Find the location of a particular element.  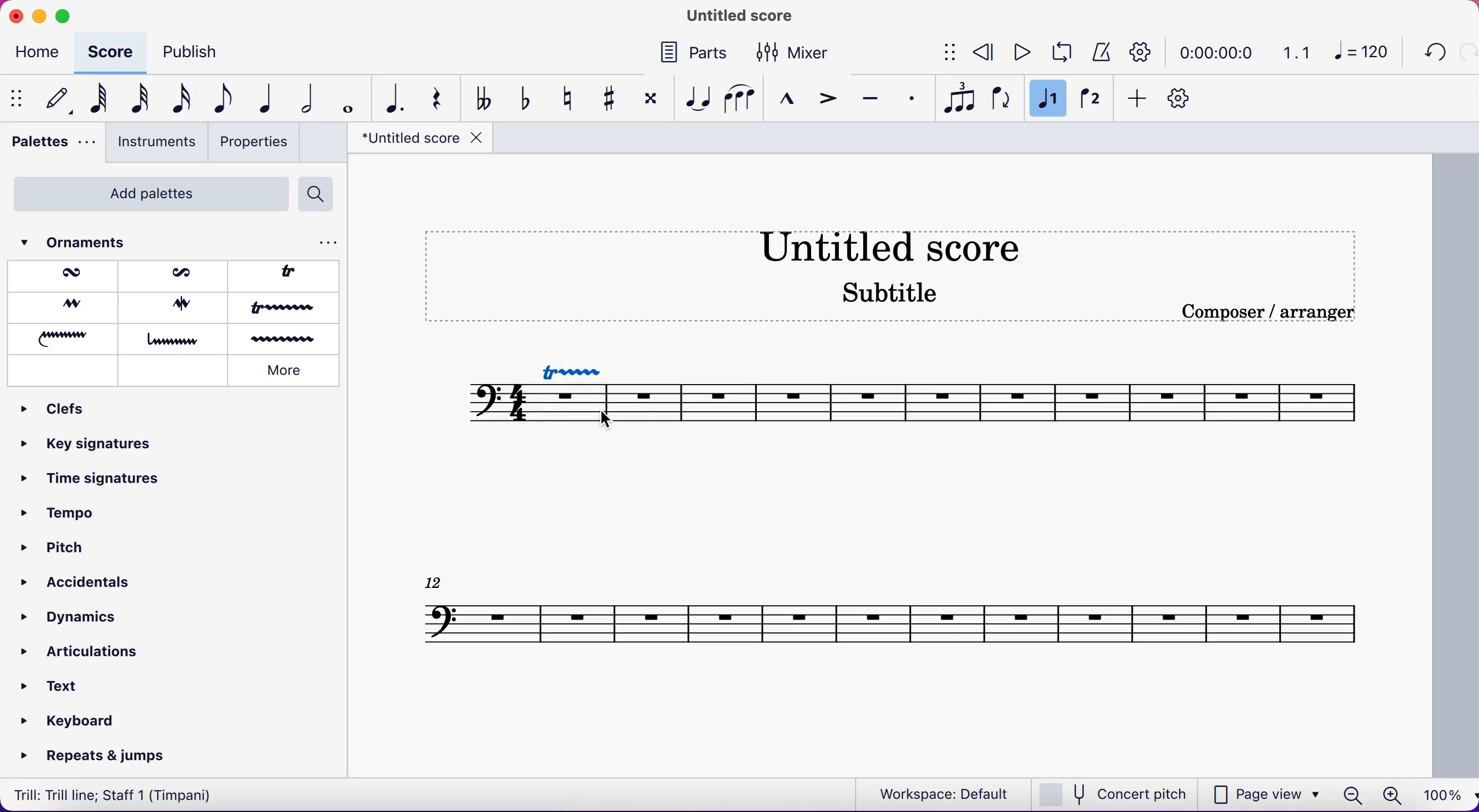

half note is located at coordinates (302, 98).